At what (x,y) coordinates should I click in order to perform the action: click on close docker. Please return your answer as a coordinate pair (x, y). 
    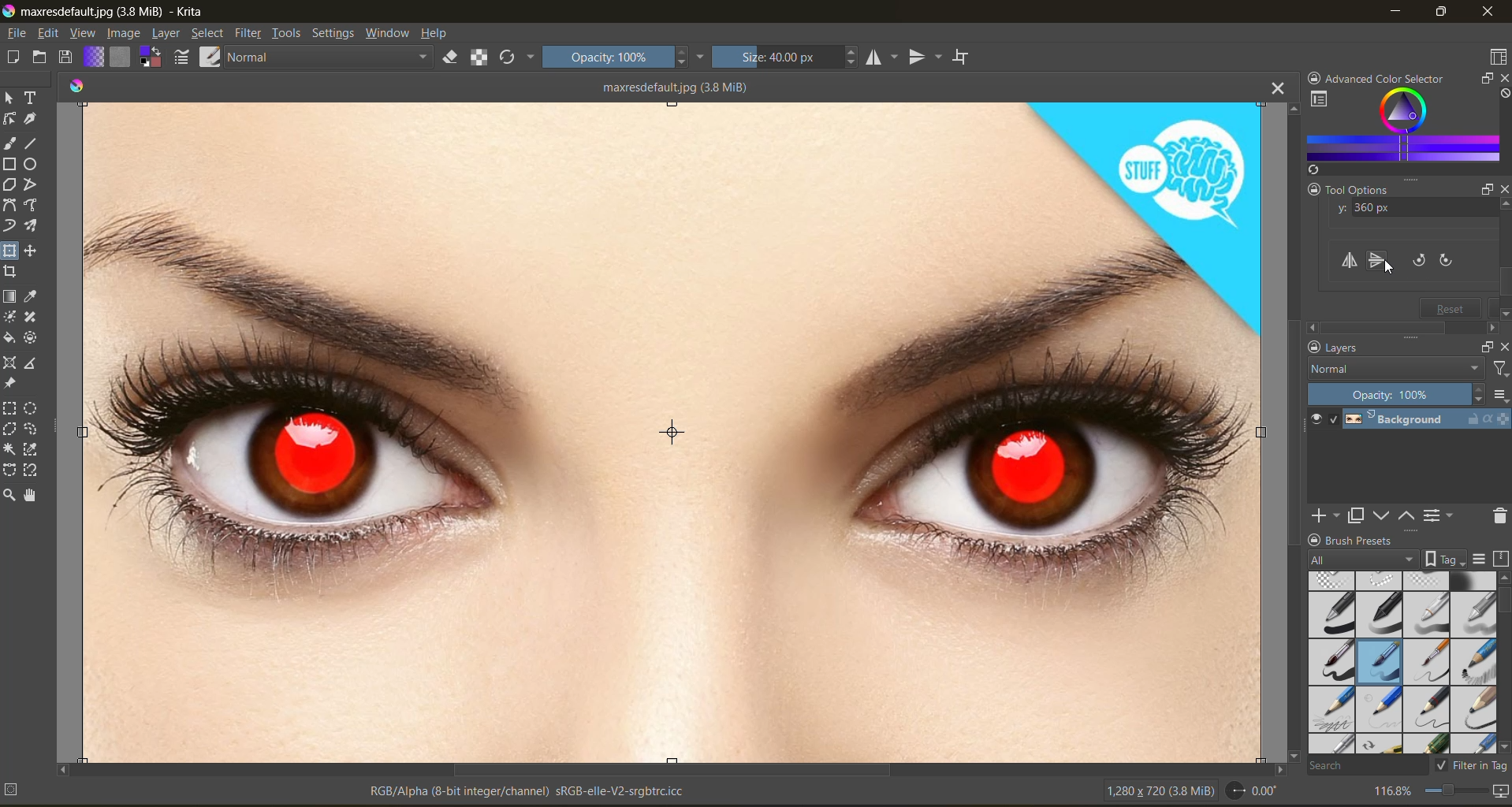
    Looking at the image, I should click on (1499, 189).